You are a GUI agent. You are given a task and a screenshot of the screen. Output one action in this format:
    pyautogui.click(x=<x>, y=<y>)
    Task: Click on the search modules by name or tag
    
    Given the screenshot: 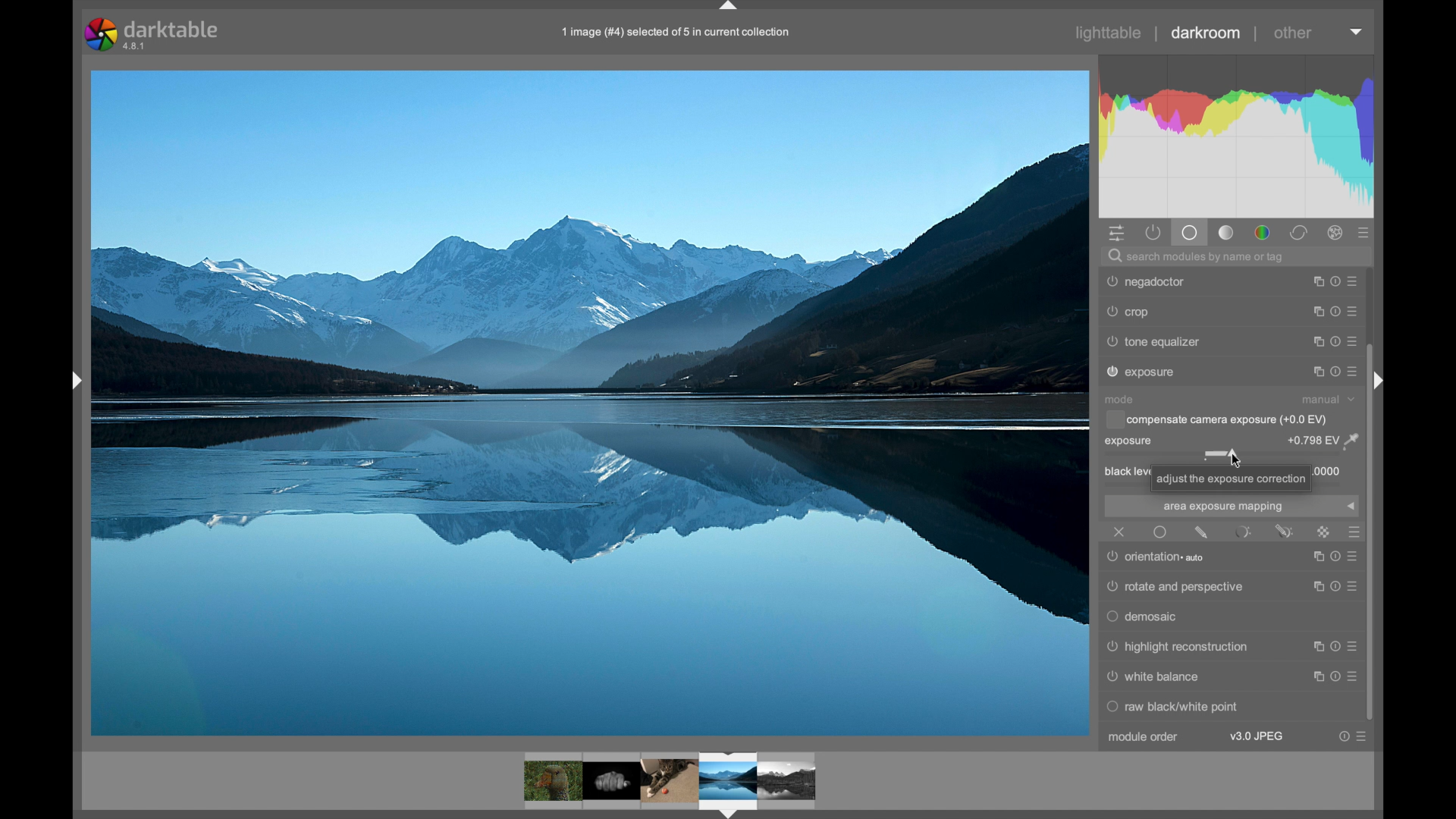 What is the action you would take?
    pyautogui.click(x=1198, y=256)
    